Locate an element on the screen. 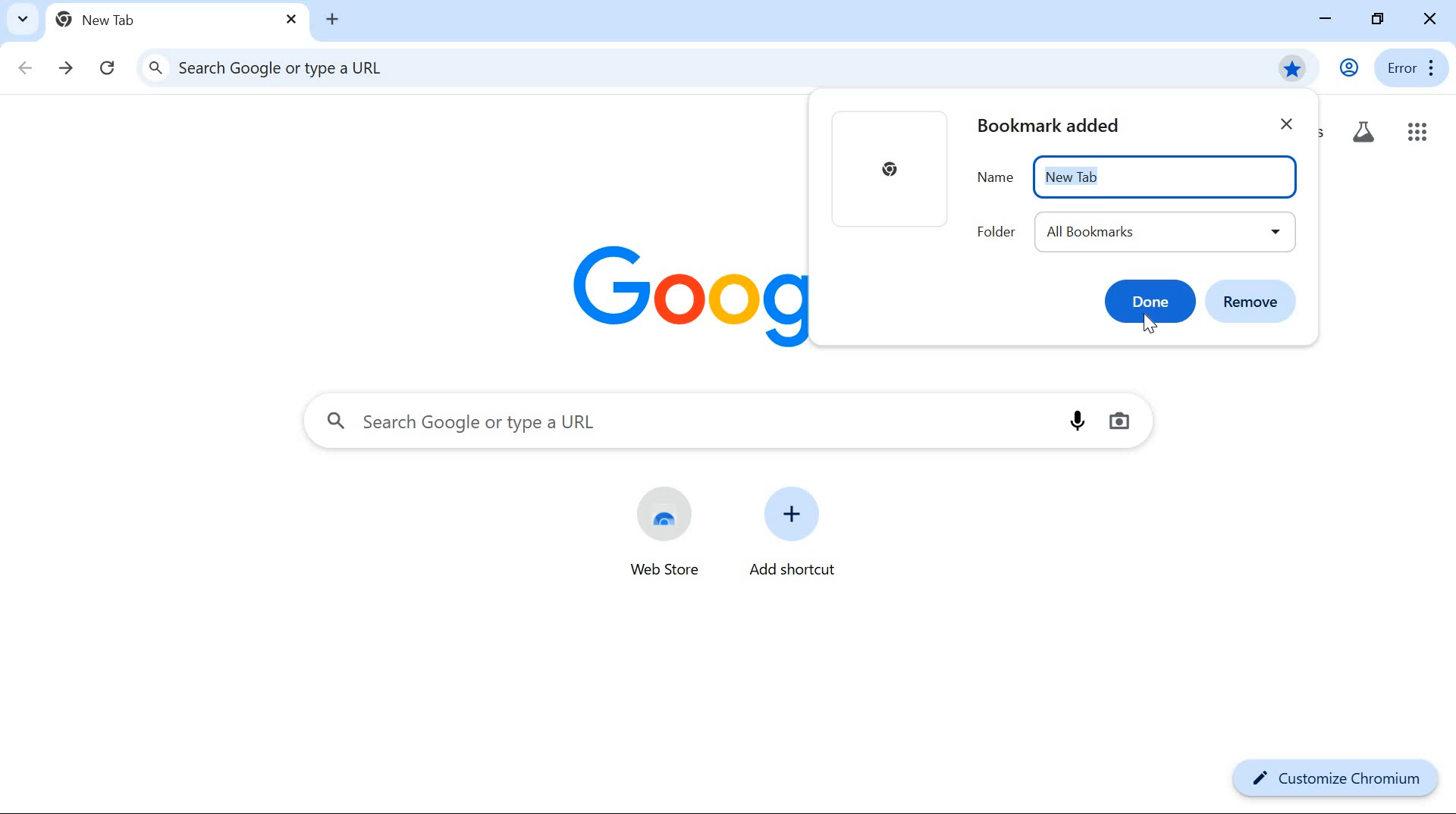  logo is located at coordinates (684, 296).